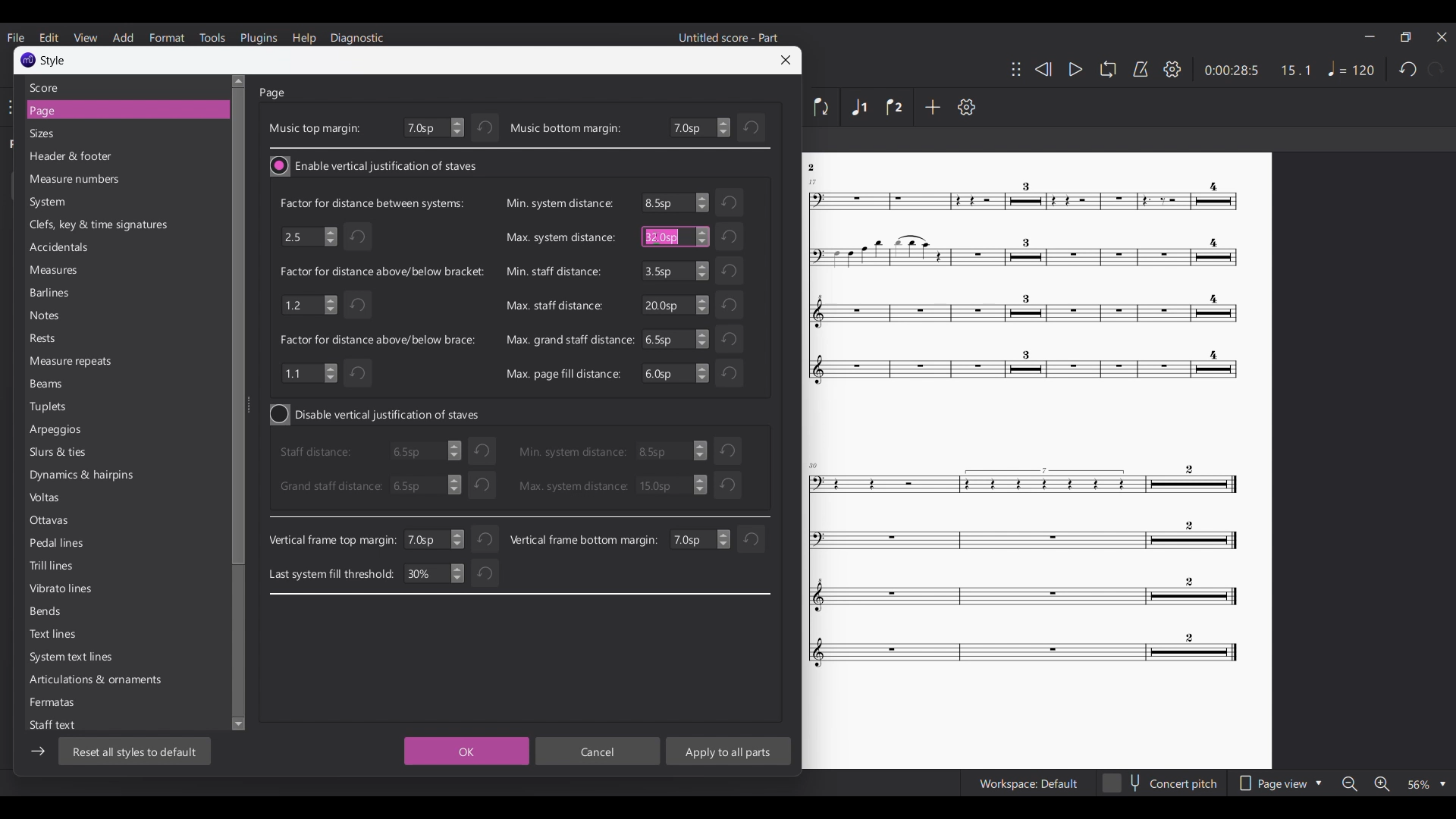 This screenshot has height=819, width=1456. Describe the element at coordinates (1043, 69) in the screenshot. I see `Rewind` at that location.